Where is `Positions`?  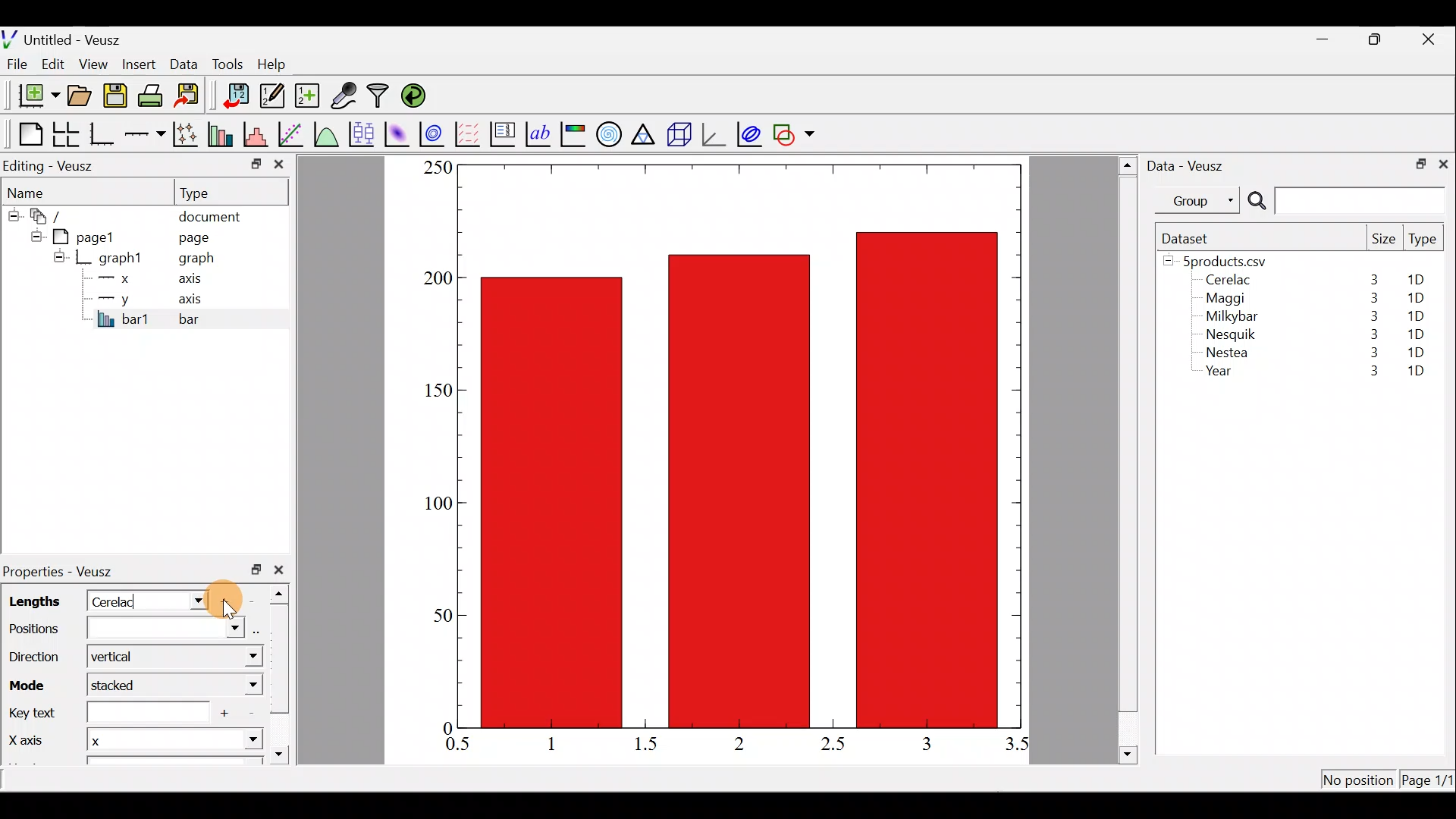 Positions is located at coordinates (123, 631).